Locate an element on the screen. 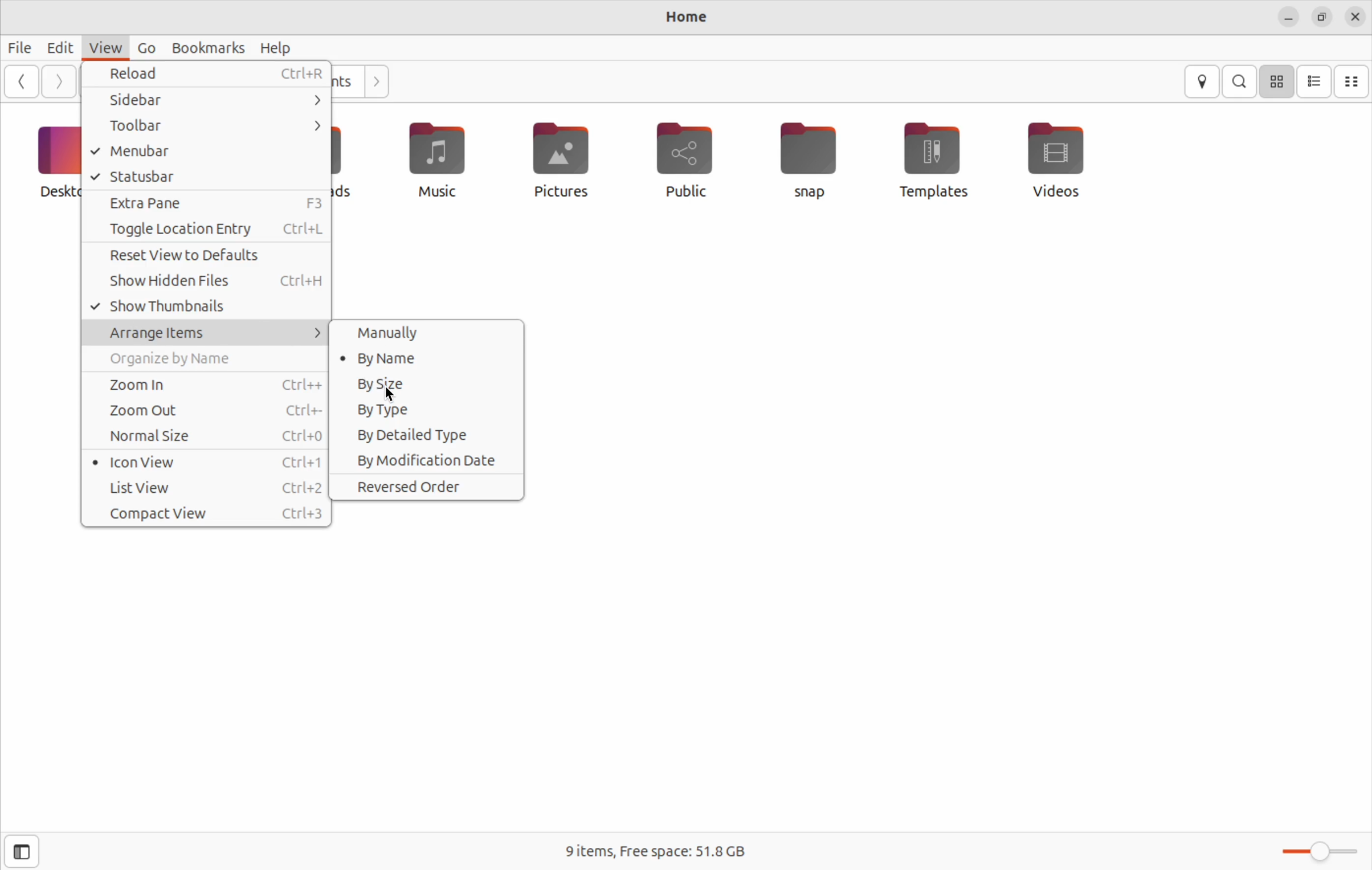 Image resolution: width=1372 pixels, height=870 pixels. show thumb nails is located at coordinates (208, 306).